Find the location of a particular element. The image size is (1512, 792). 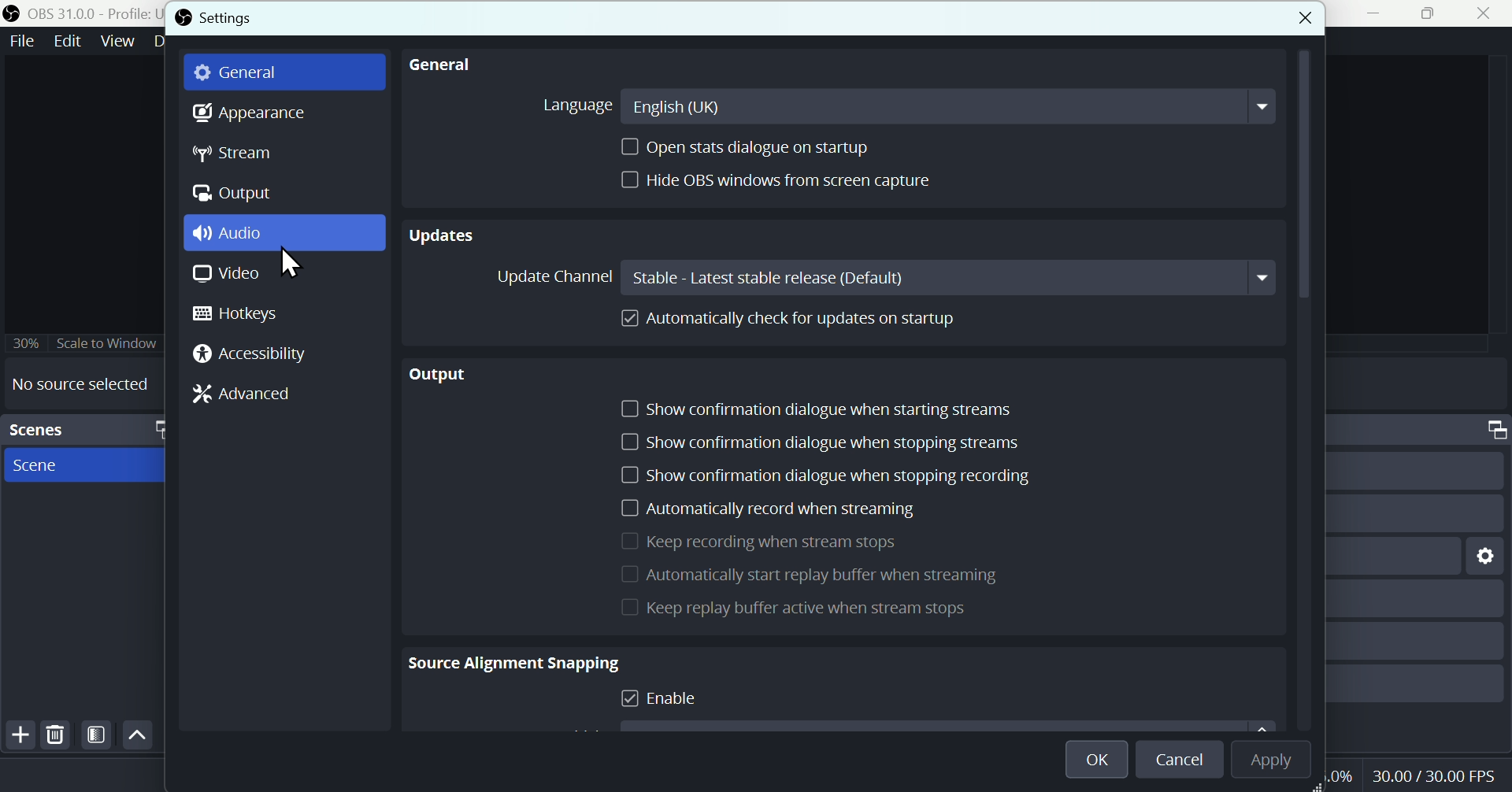

Source alignment snapping is located at coordinates (513, 668).